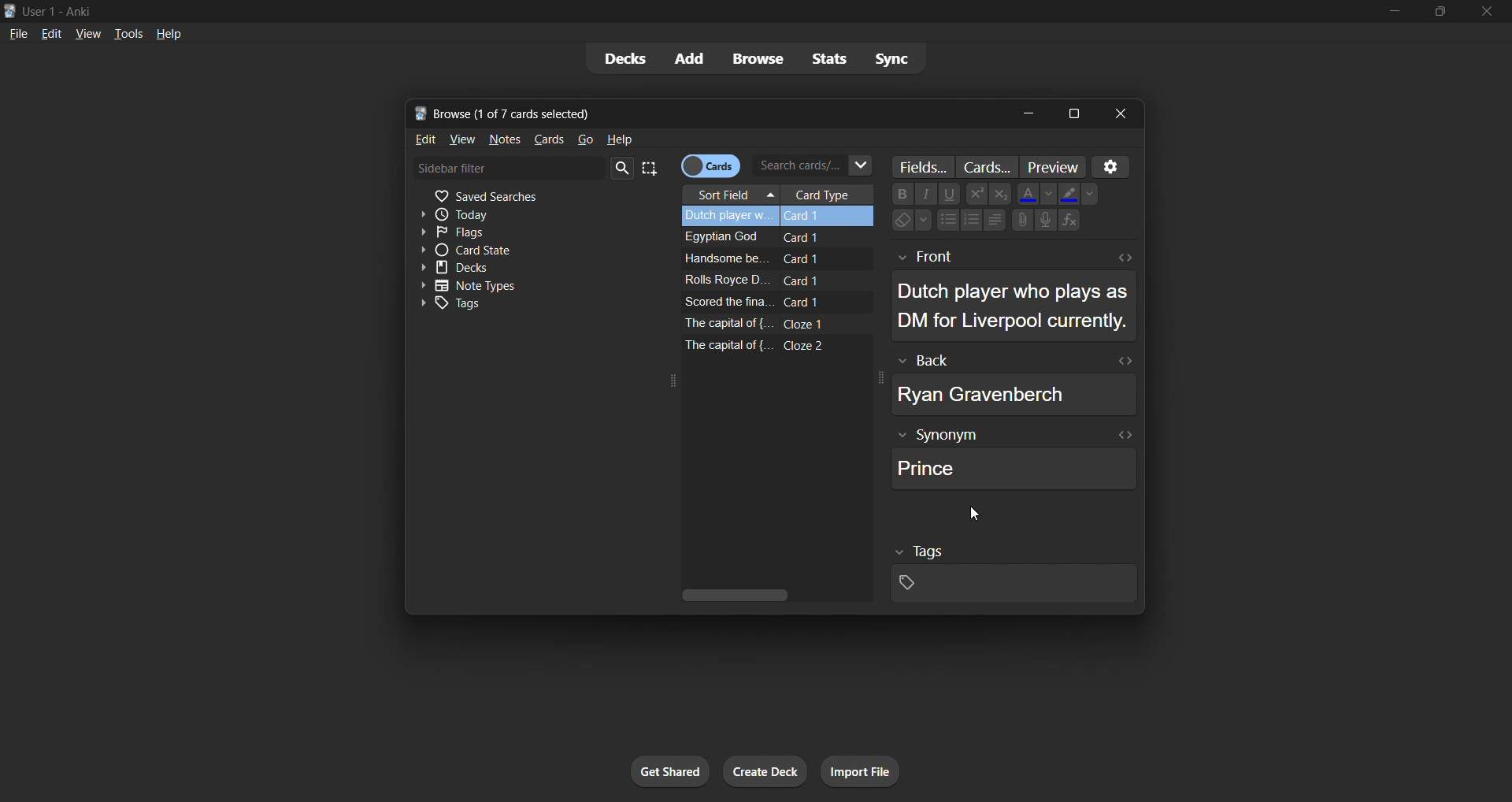 The height and width of the screenshot is (802, 1512). I want to click on file, so click(17, 34).